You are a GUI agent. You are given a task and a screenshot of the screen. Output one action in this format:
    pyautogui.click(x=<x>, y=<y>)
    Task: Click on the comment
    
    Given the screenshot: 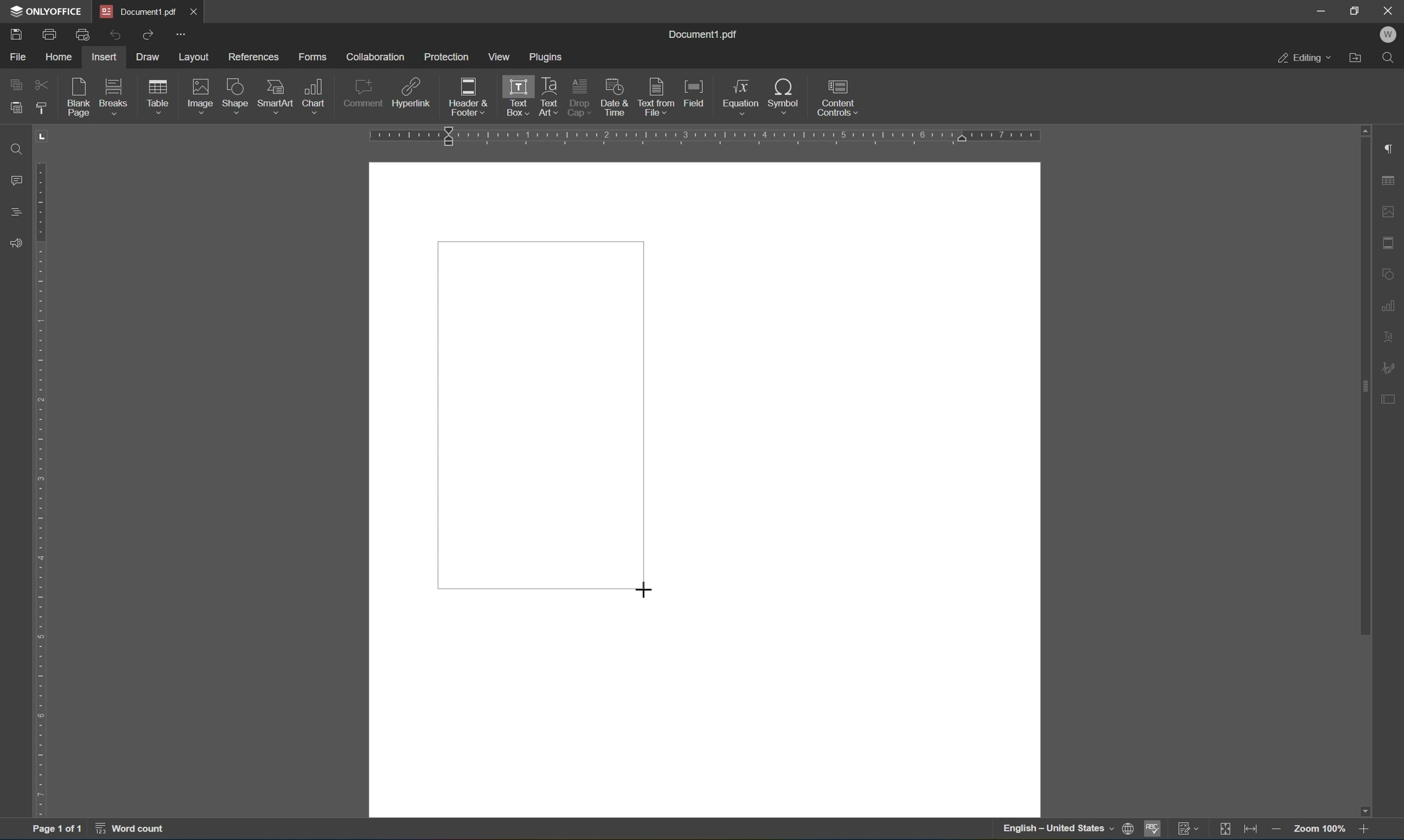 What is the action you would take?
    pyautogui.click(x=363, y=96)
    